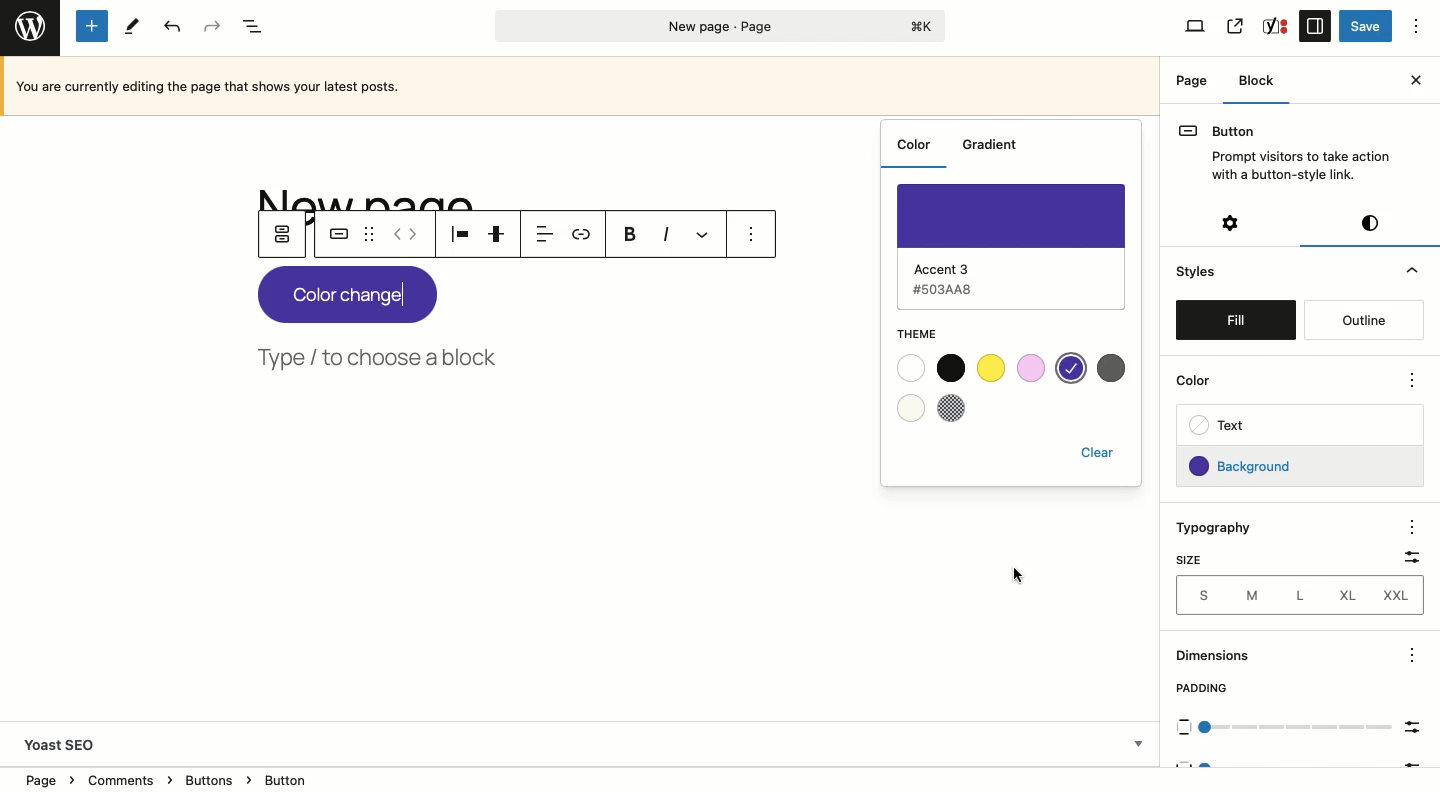 The width and height of the screenshot is (1440, 792). I want to click on Color, so click(1297, 382).